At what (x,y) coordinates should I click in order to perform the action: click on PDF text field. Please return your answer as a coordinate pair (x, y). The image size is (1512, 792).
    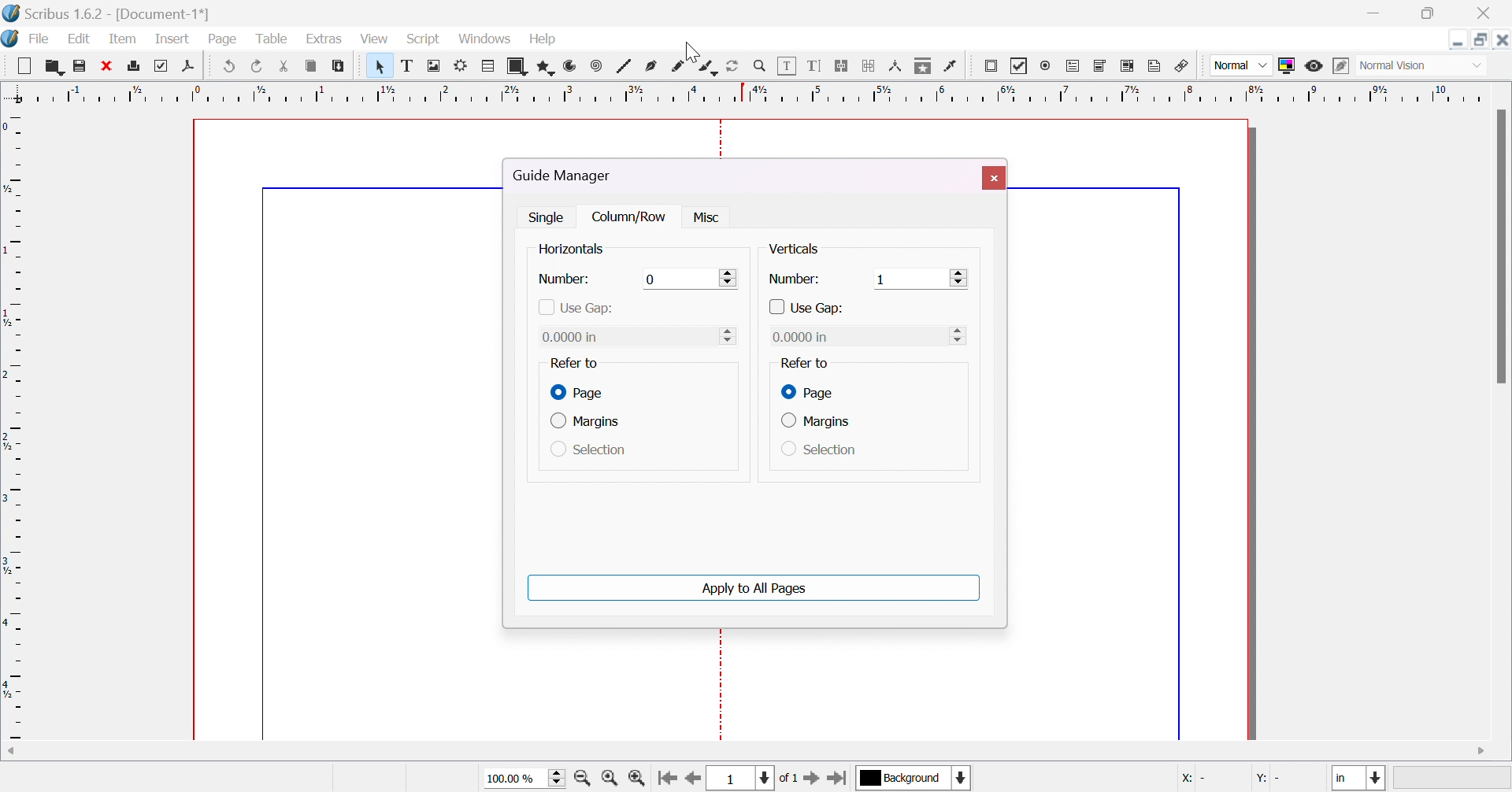
    Looking at the image, I should click on (1075, 67).